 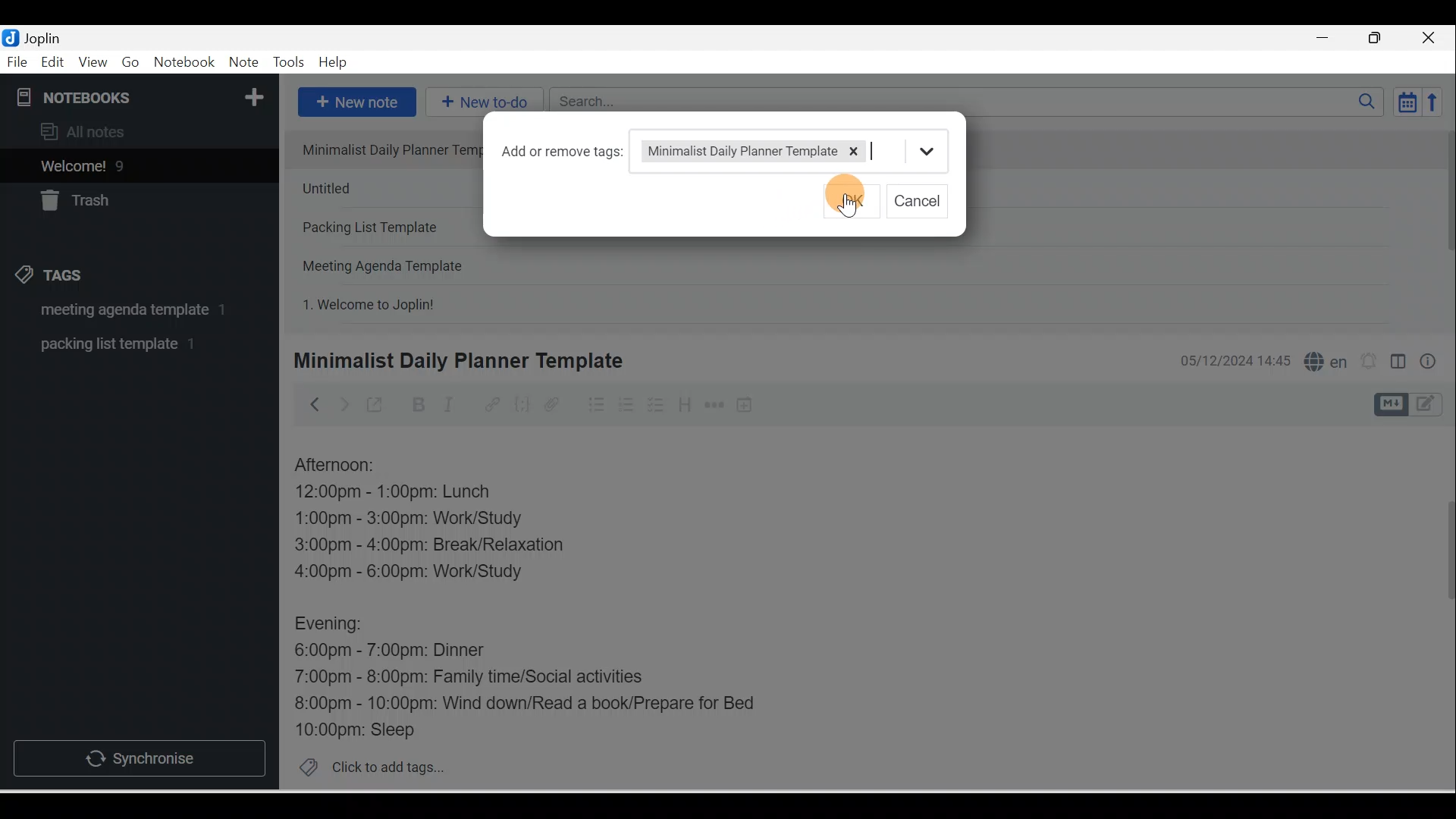 I want to click on 7:00pm - 8:00pm: Family time/Social activities, so click(x=480, y=679).